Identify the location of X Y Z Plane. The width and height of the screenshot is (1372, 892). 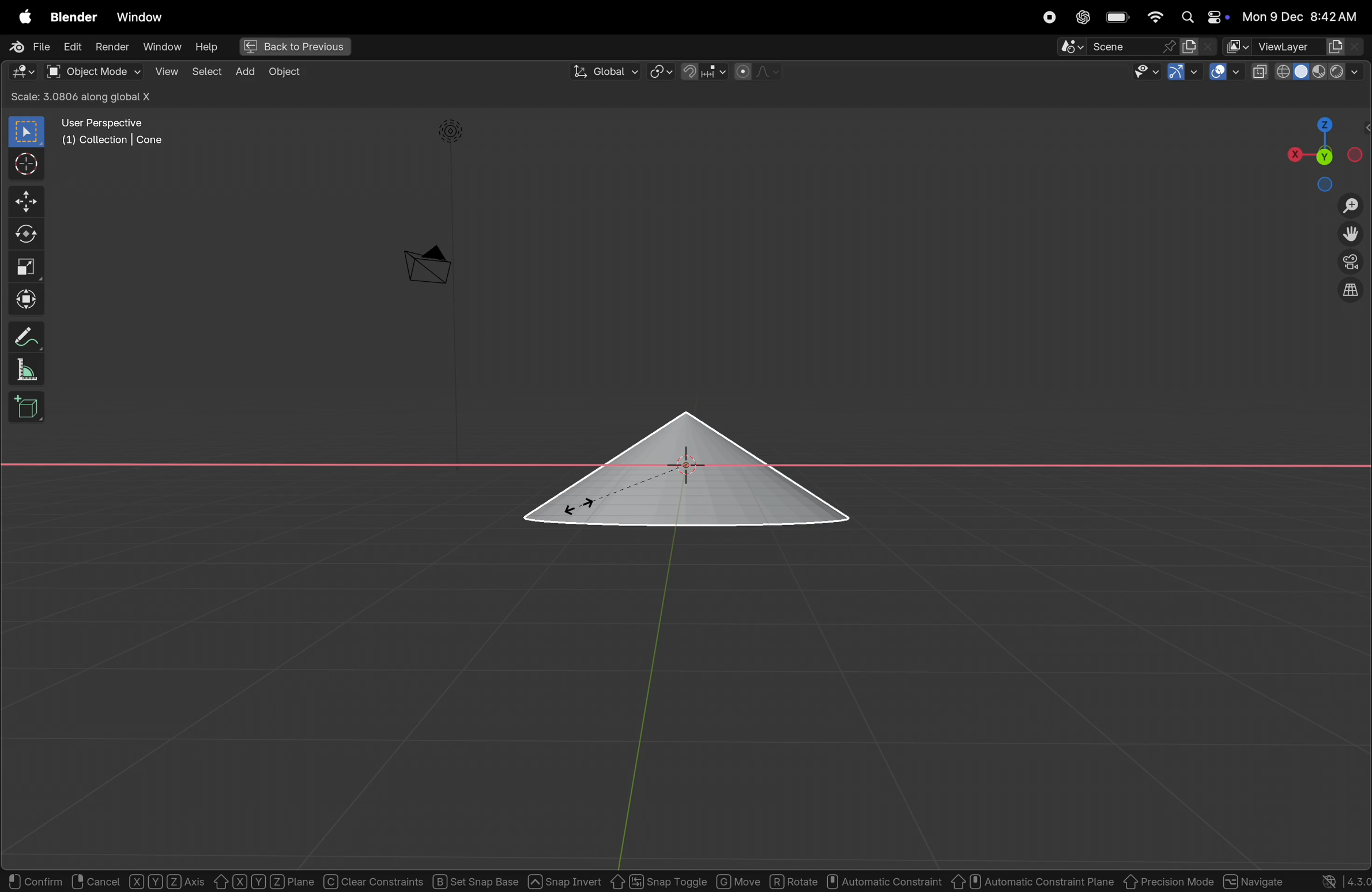
(263, 880).